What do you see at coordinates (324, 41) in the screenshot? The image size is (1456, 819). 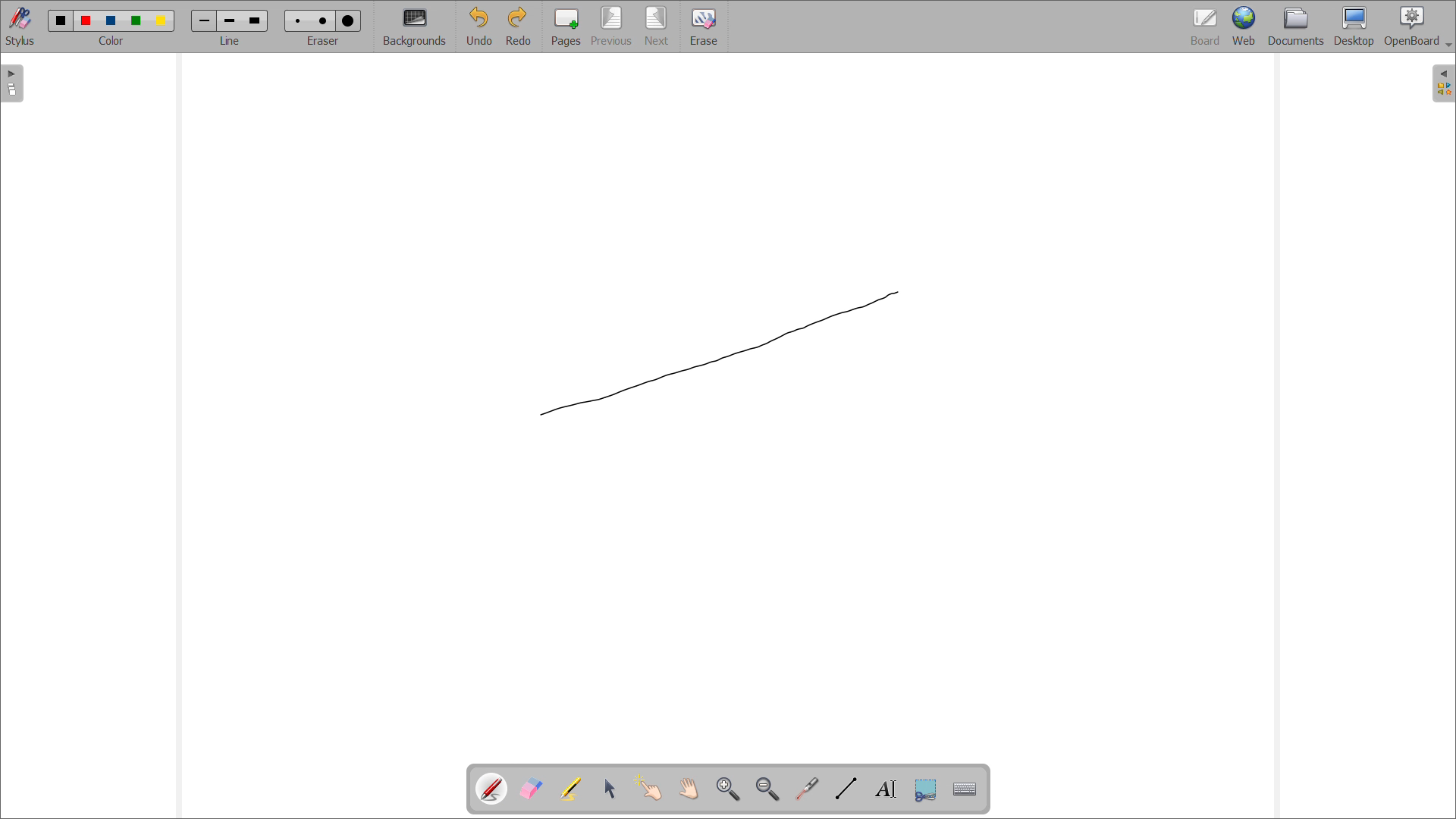 I see `select eraser size` at bounding box center [324, 41].